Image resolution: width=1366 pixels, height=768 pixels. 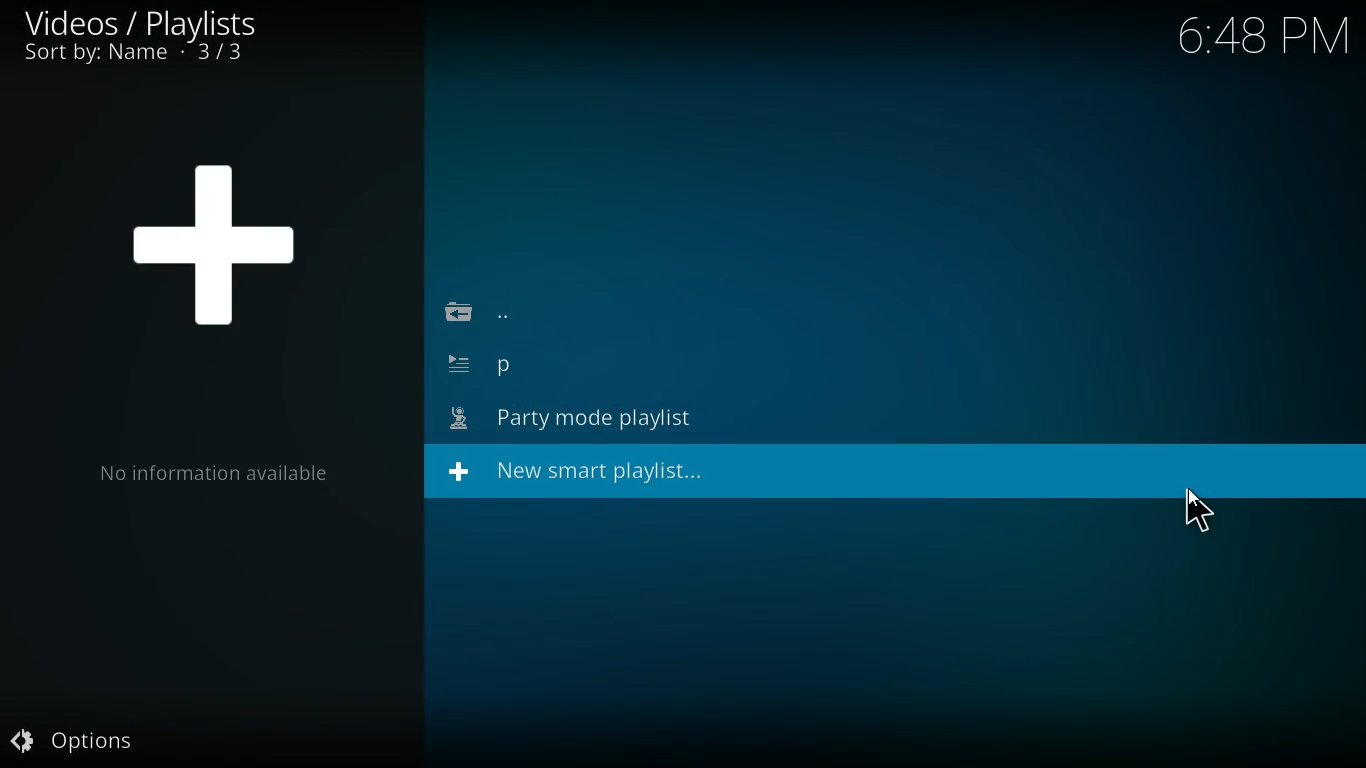 I want to click on videos/playlists, so click(x=139, y=21).